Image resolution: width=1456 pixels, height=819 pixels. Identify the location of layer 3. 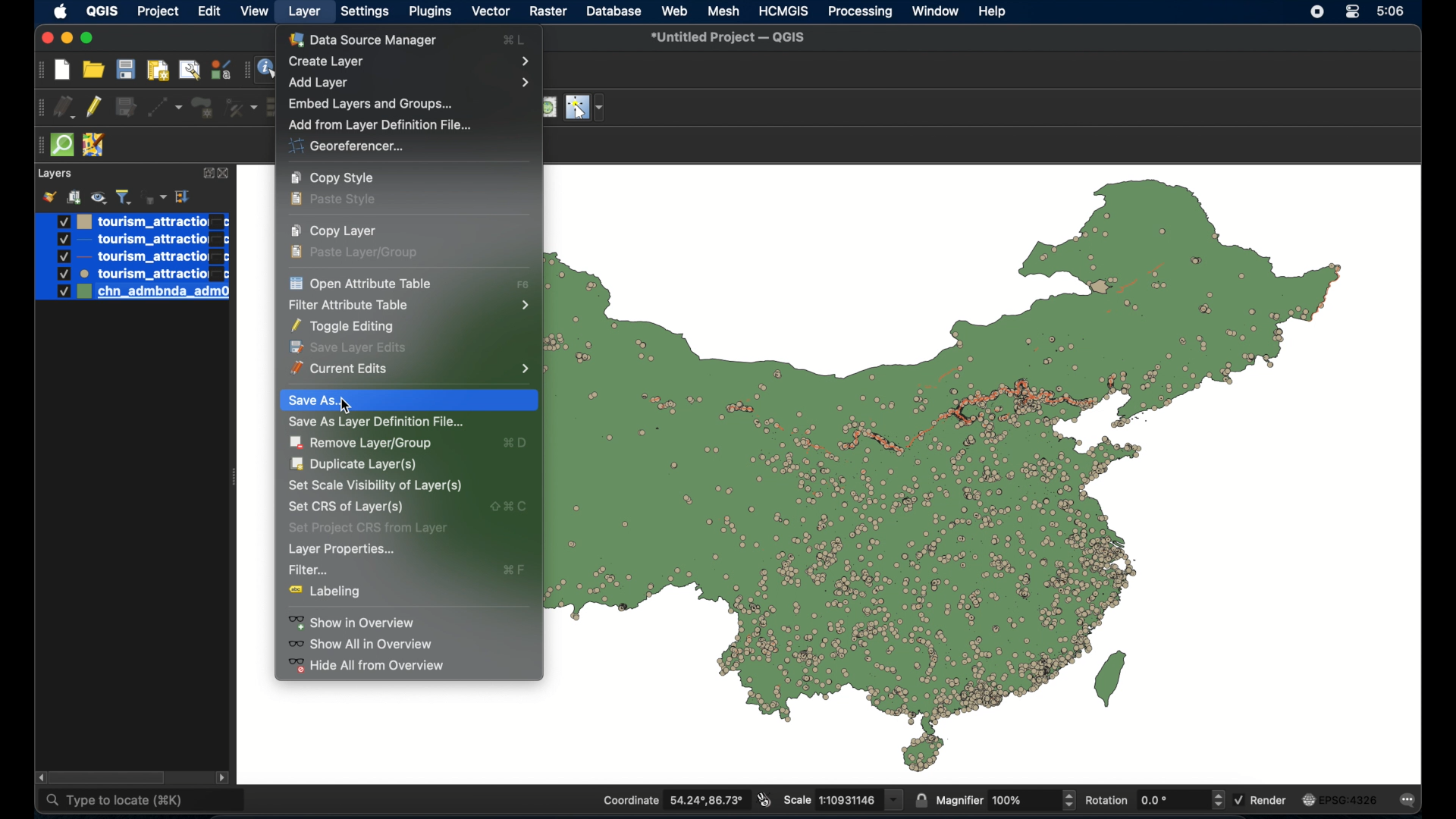
(131, 257).